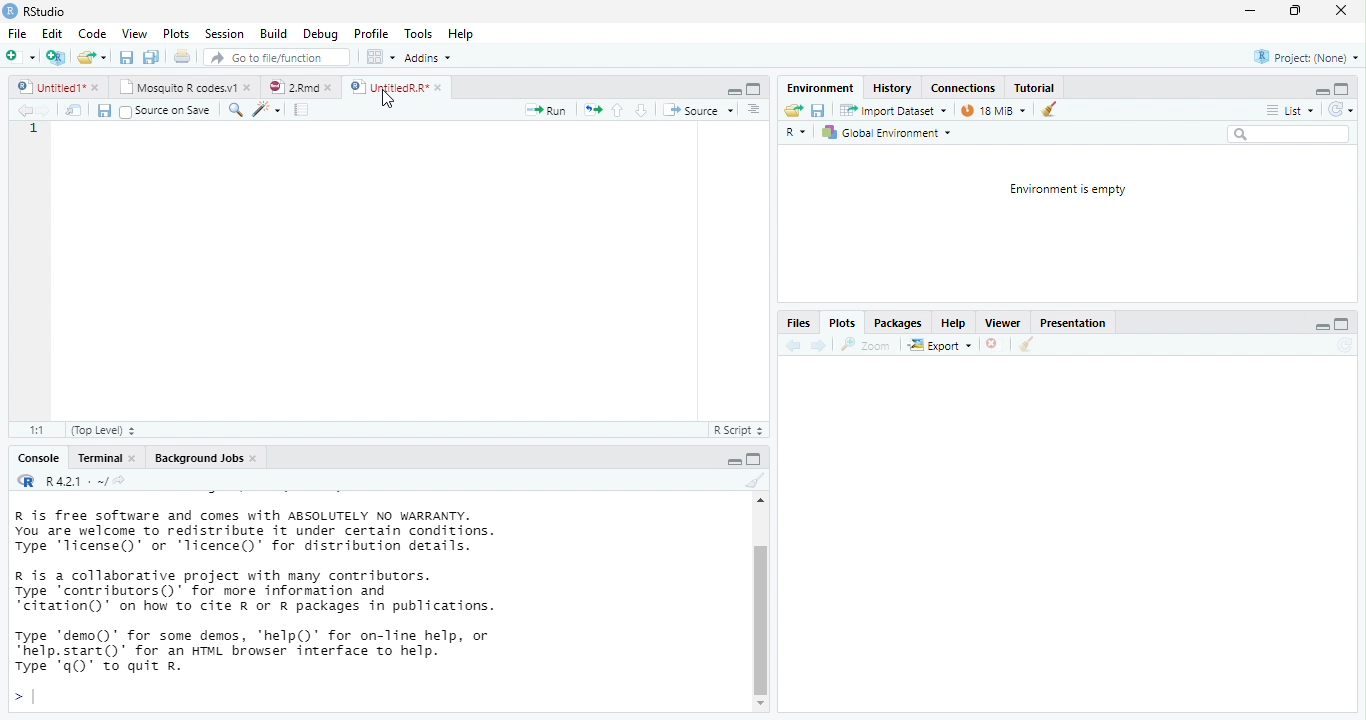  Describe the element at coordinates (819, 111) in the screenshot. I see `save current document` at that location.